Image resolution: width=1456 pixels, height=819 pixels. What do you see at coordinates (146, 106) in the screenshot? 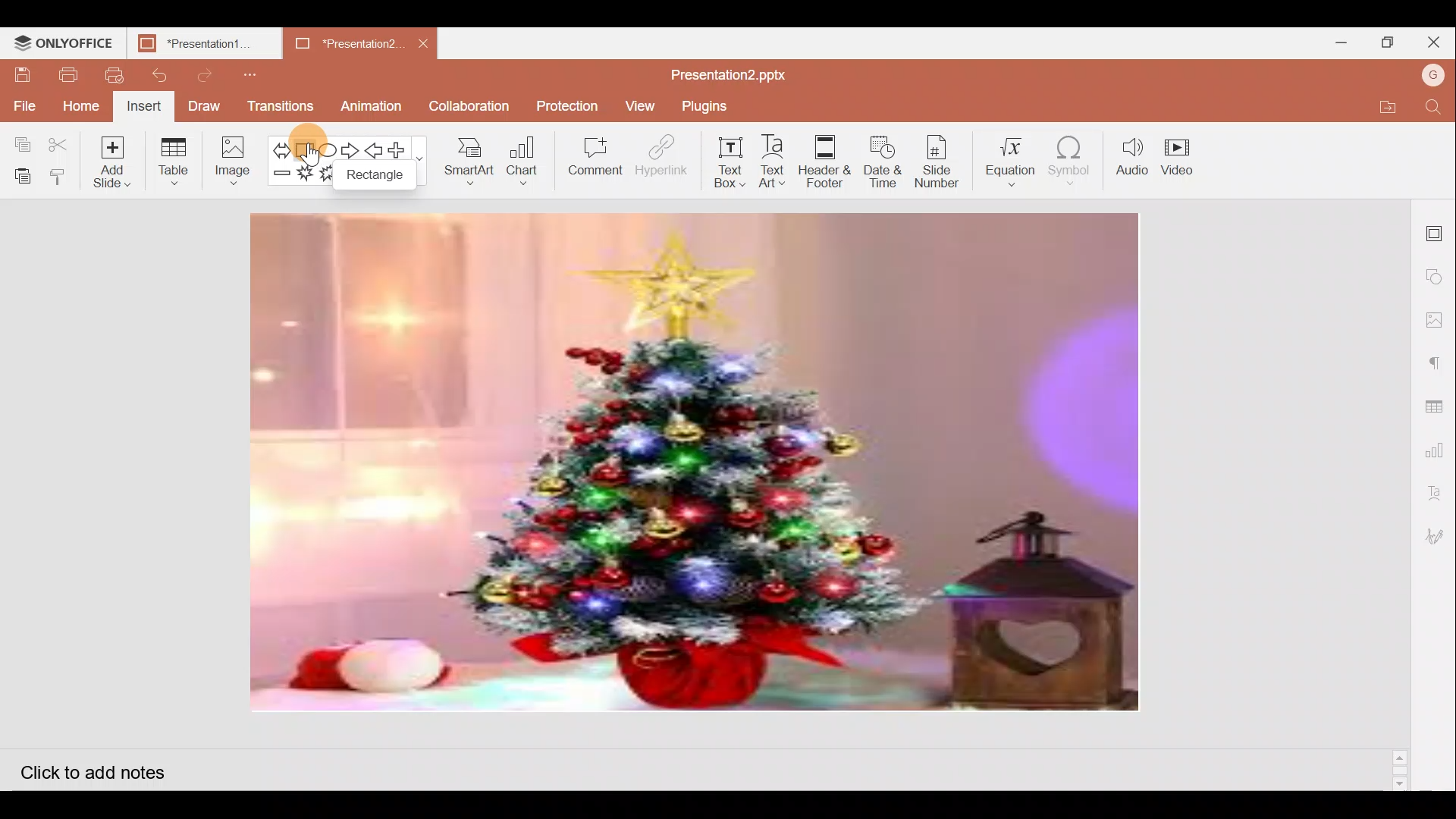
I see `Insert` at bounding box center [146, 106].